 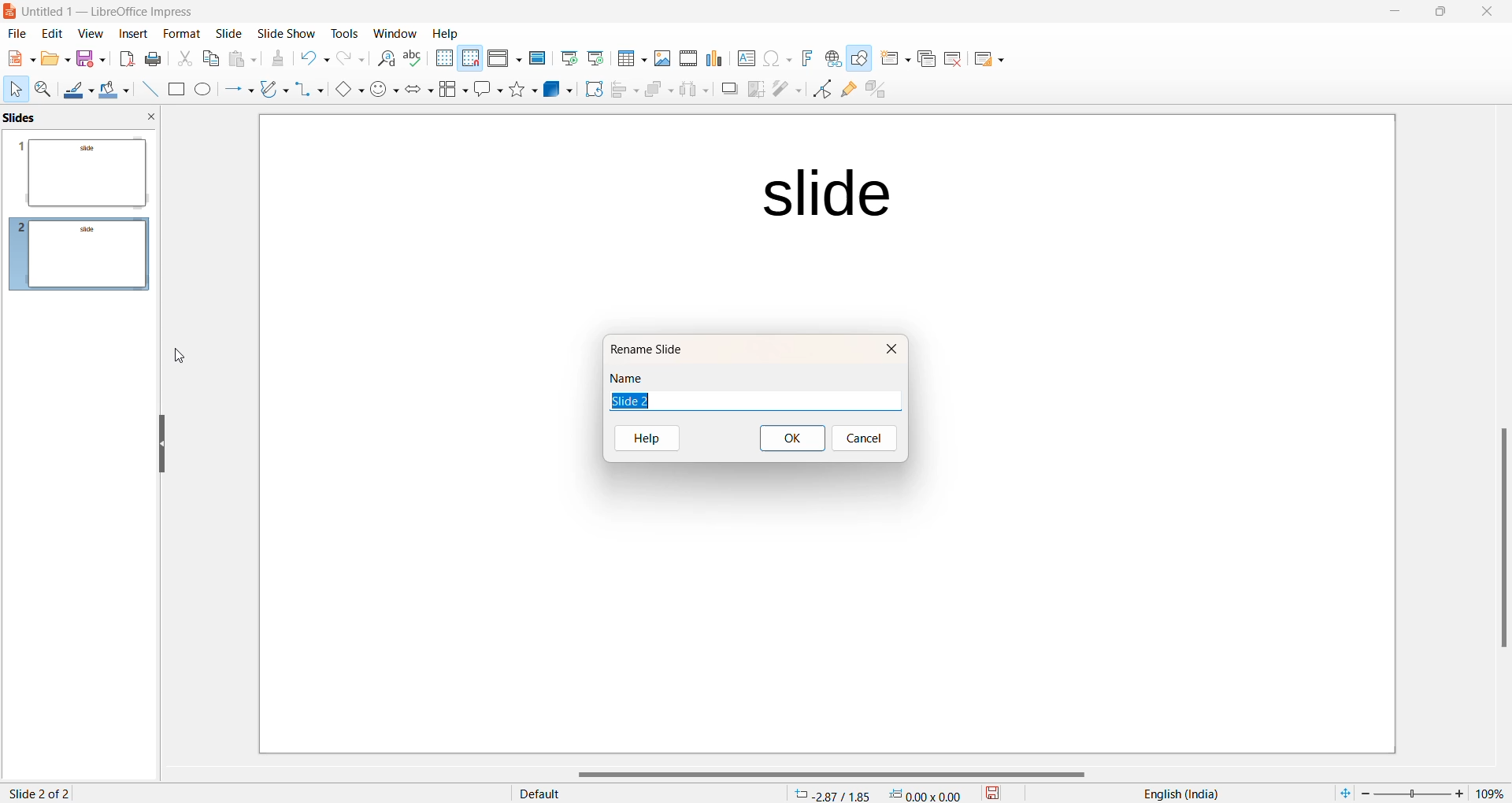 What do you see at coordinates (282, 60) in the screenshot?
I see `Clone formatting` at bounding box center [282, 60].